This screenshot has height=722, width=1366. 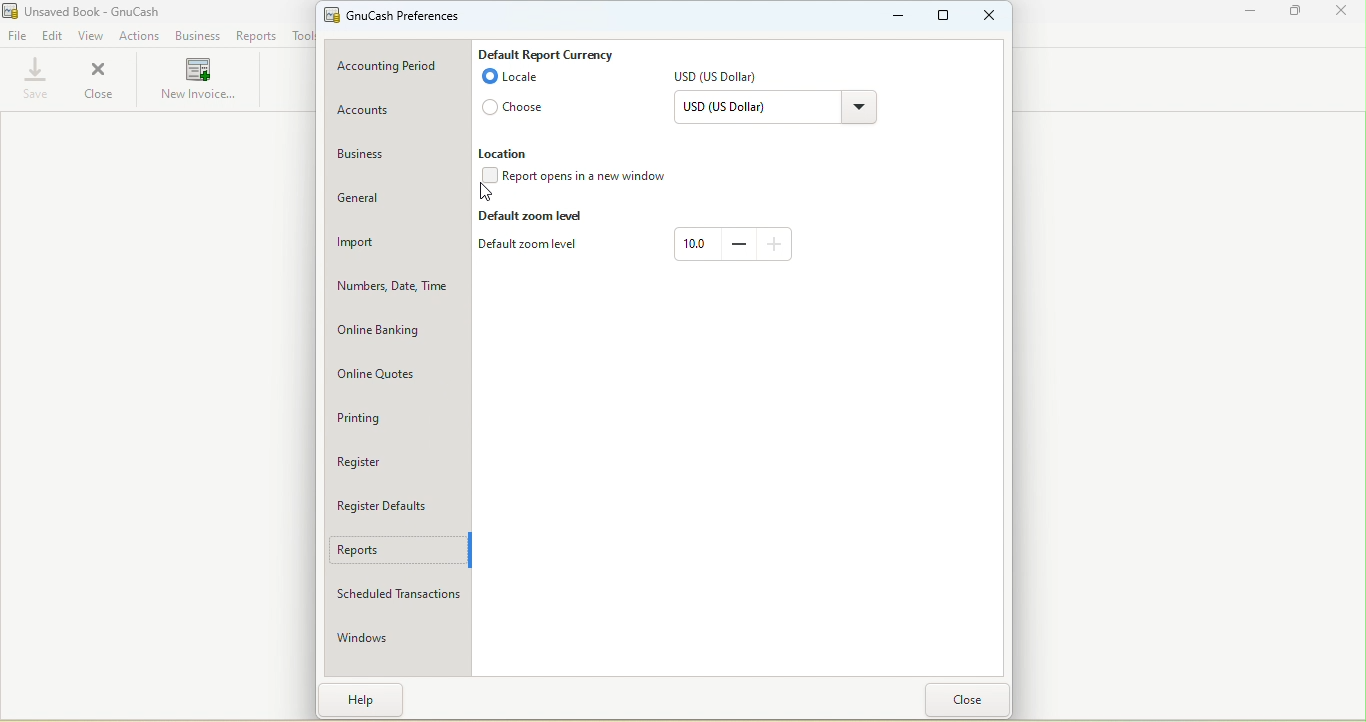 I want to click on Location, so click(x=507, y=153).